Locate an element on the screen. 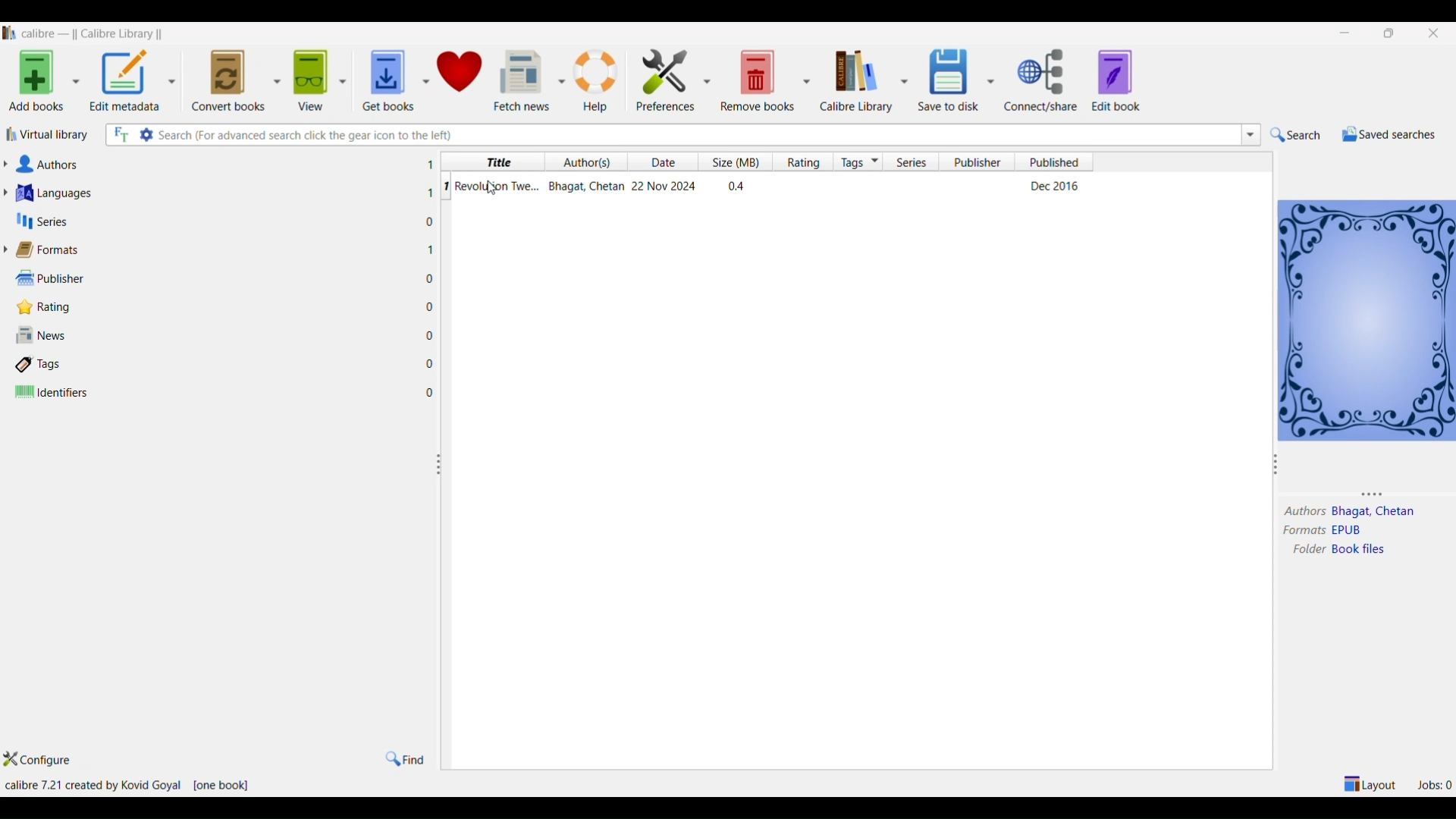 Image resolution: width=1456 pixels, height=819 pixels. cursor is located at coordinates (494, 190).